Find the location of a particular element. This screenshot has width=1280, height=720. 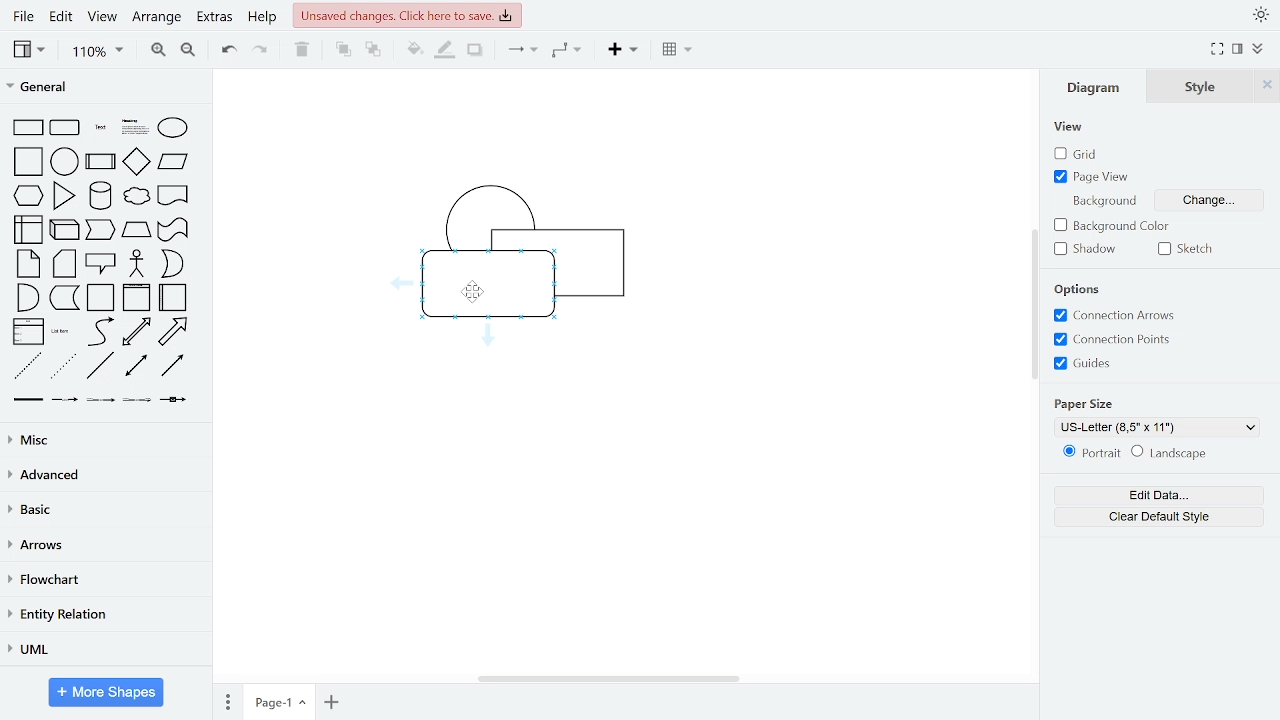

square is located at coordinates (30, 162).